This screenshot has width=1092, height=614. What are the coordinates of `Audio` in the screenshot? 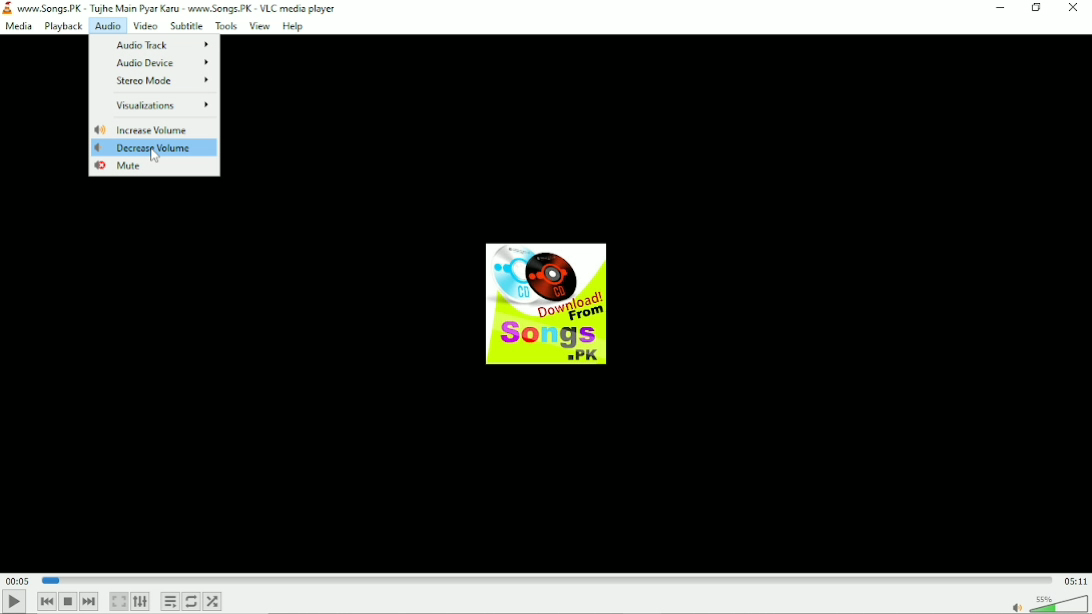 It's located at (107, 26).